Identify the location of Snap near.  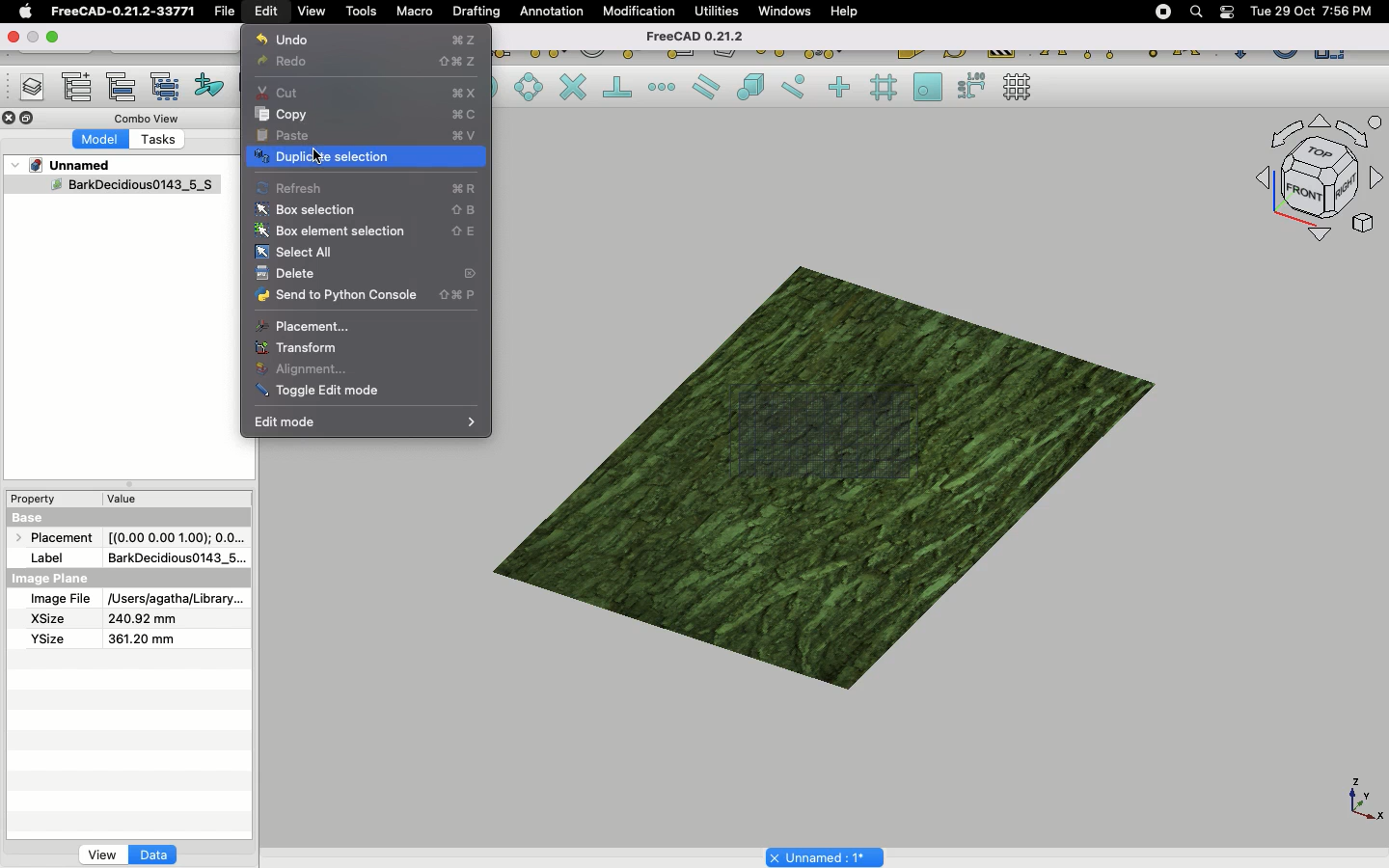
(799, 87).